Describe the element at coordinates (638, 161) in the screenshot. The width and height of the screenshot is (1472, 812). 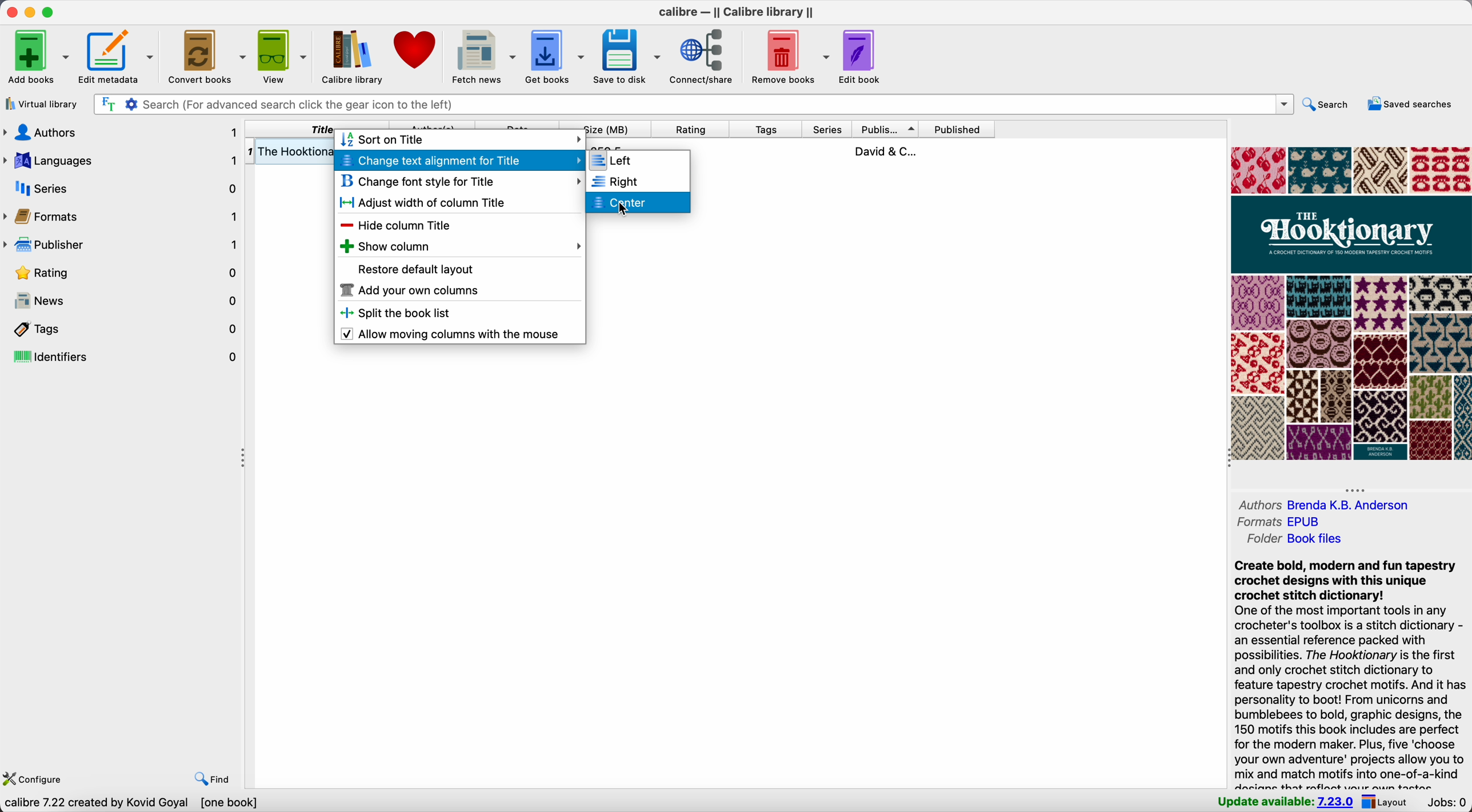
I see `left` at that location.